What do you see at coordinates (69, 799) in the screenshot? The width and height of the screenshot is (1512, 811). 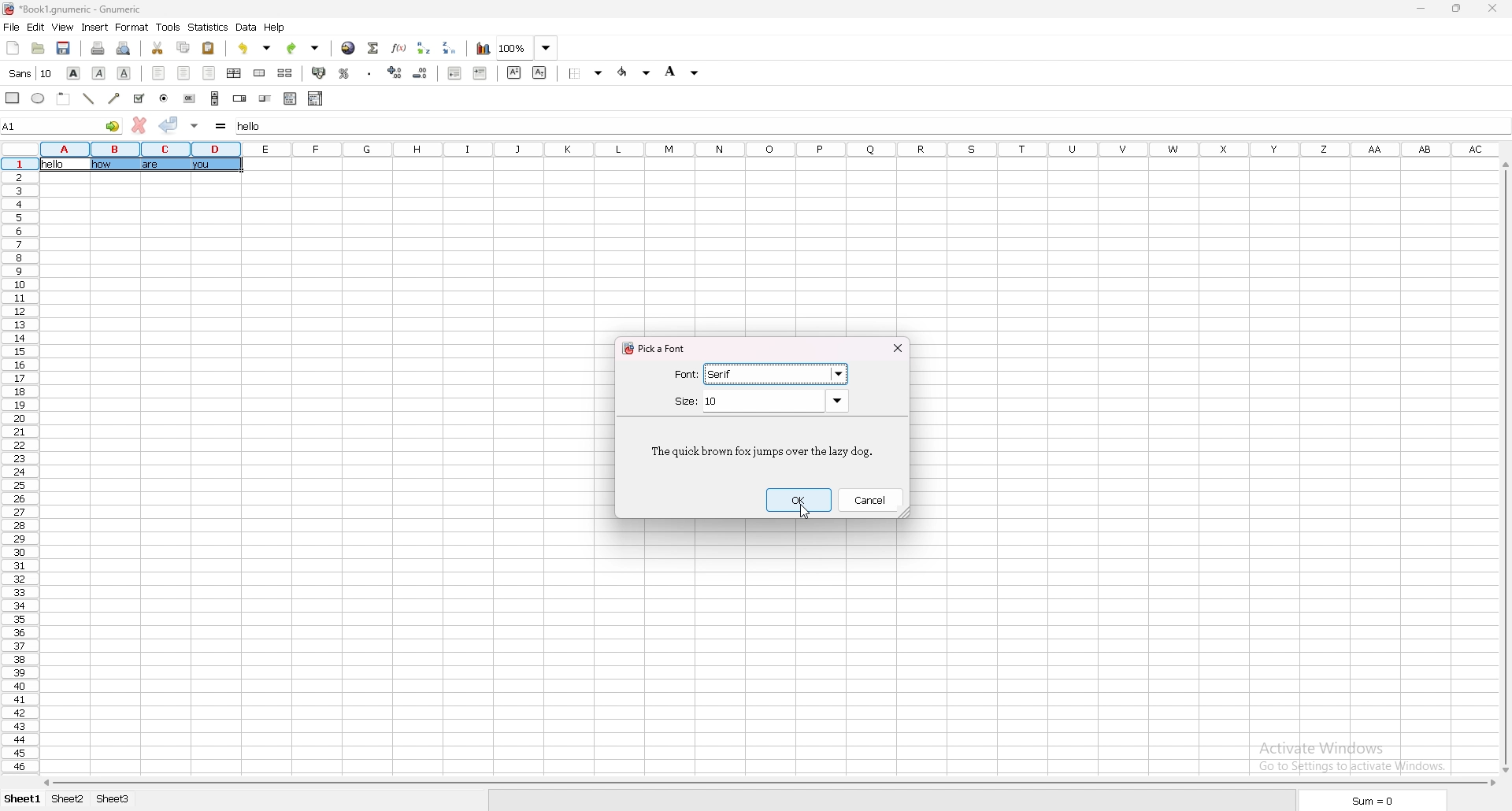 I see `sheet 2` at bounding box center [69, 799].